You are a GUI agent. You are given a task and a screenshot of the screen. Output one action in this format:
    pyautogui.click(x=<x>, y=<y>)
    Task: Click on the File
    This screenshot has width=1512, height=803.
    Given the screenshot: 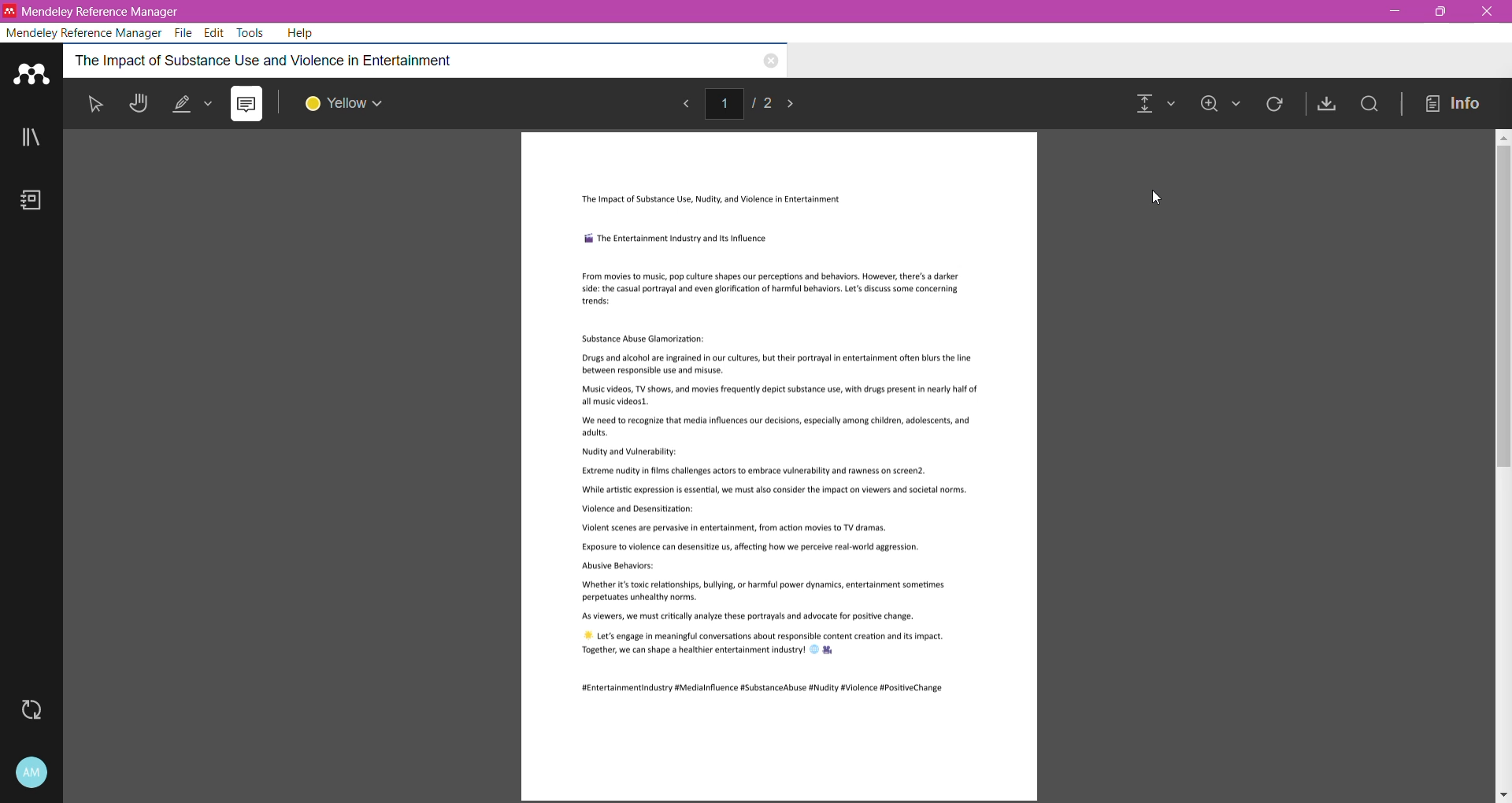 What is the action you would take?
    pyautogui.click(x=186, y=33)
    